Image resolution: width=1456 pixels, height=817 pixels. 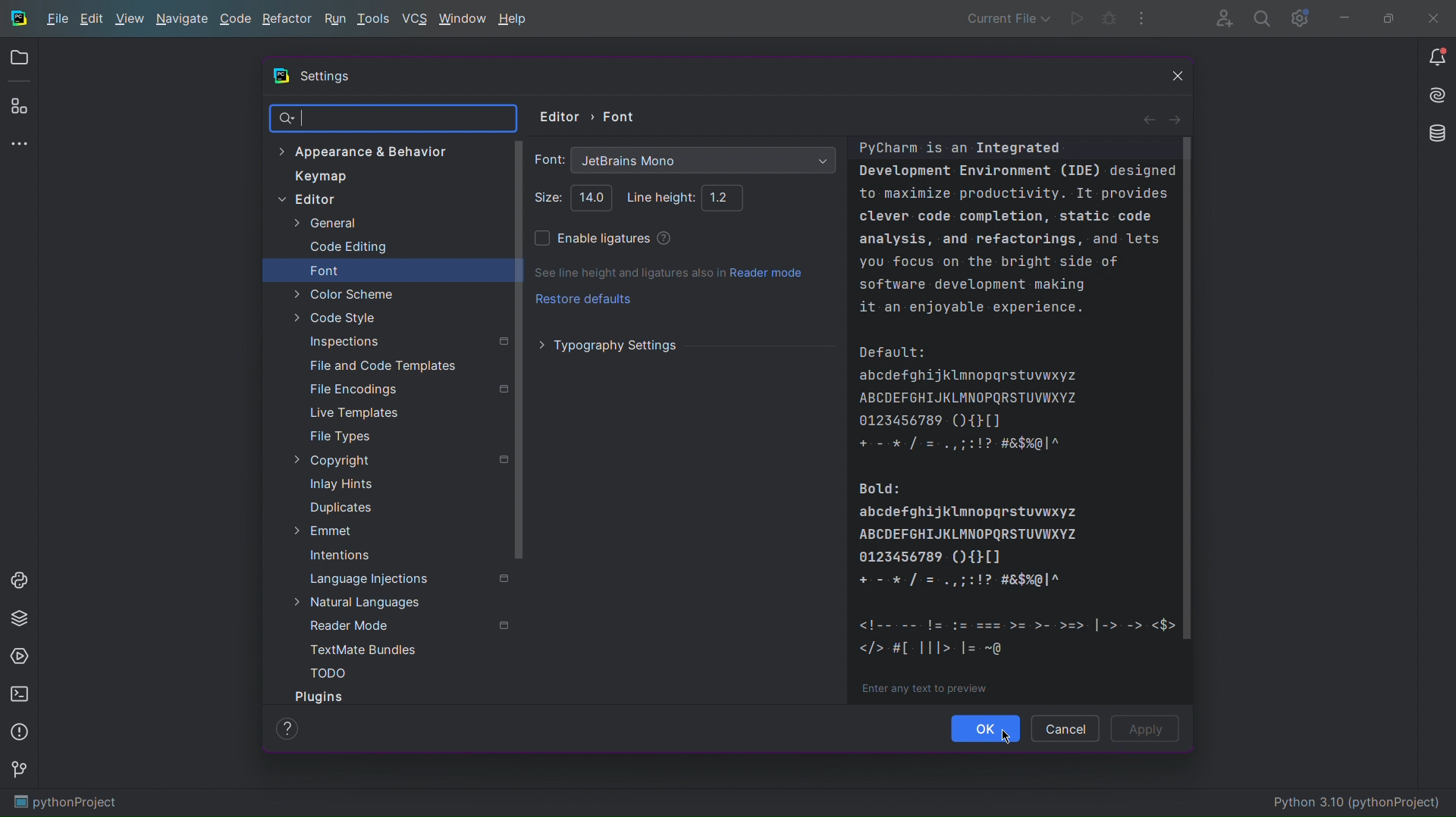 What do you see at coordinates (987, 728) in the screenshot?
I see `Ok` at bounding box center [987, 728].